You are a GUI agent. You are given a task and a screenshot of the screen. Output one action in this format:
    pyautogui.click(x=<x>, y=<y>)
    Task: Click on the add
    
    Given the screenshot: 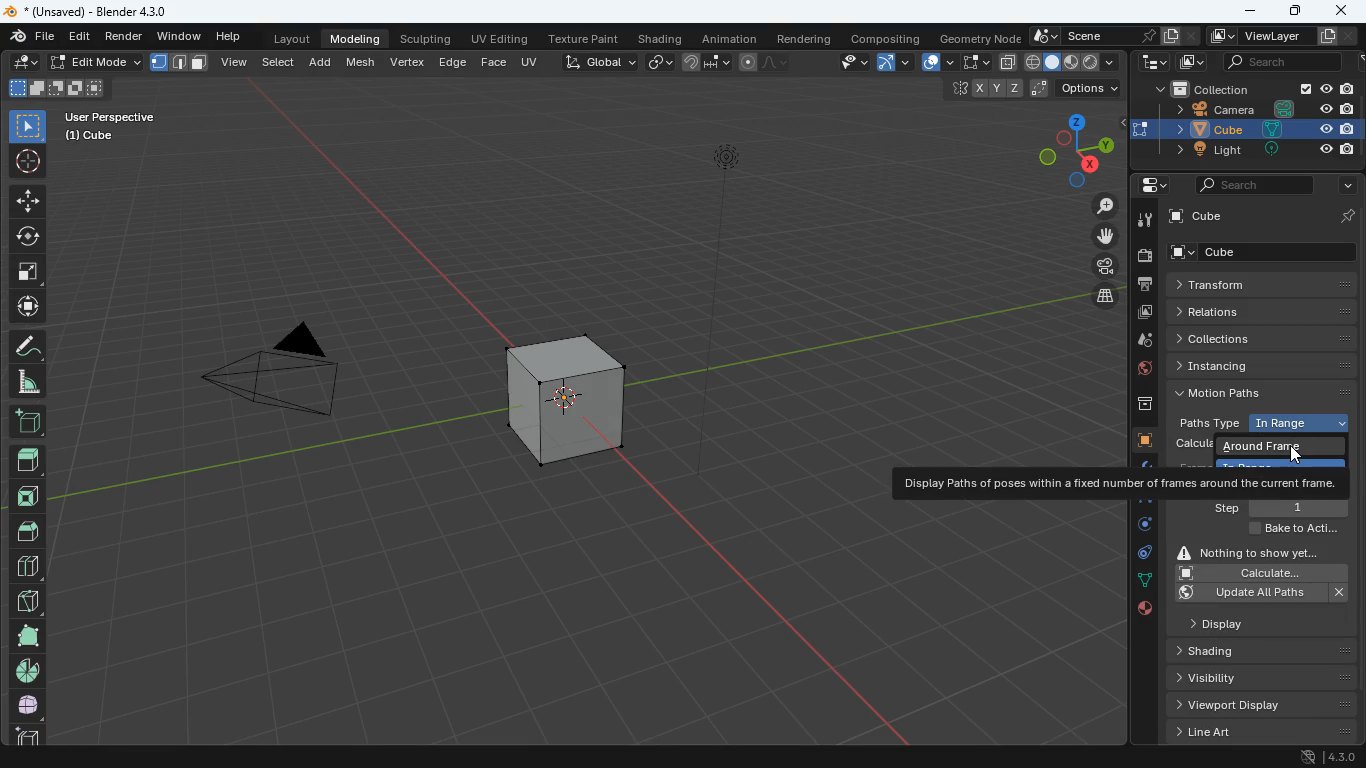 What is the action you would take?
    pyautogui.click(x=323, y=60)
    